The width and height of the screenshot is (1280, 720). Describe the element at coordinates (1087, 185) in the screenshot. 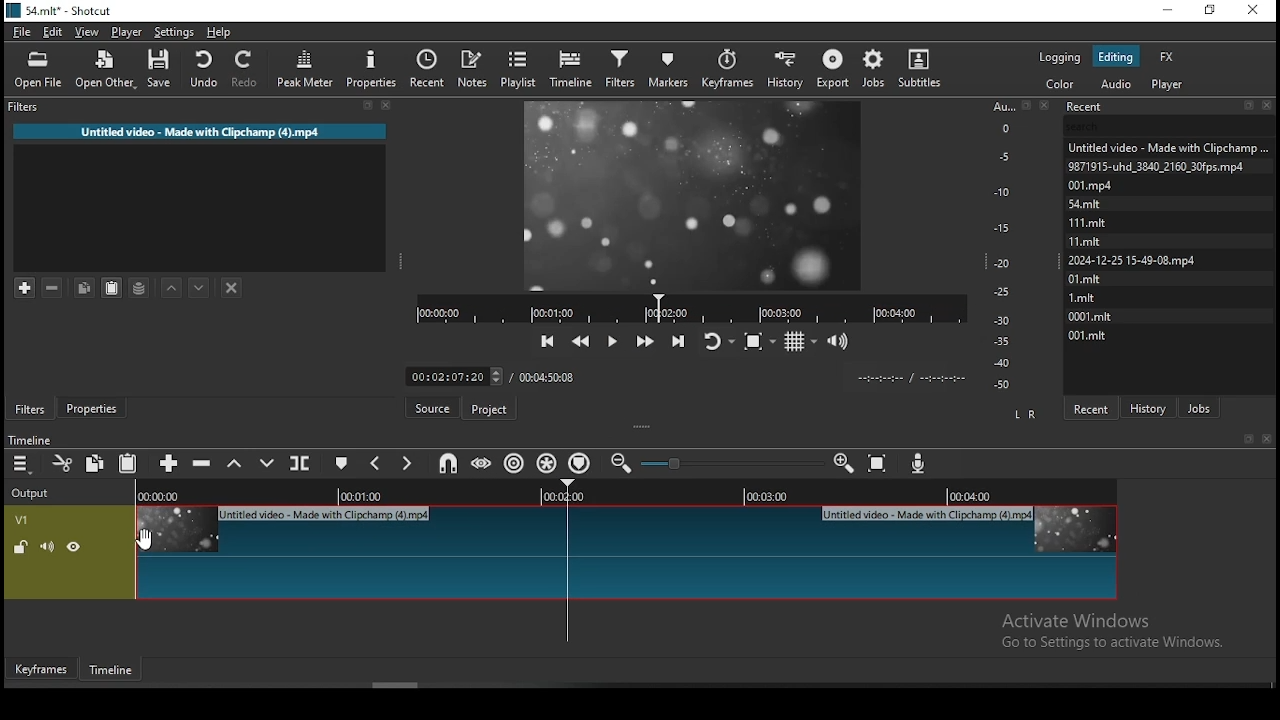

I see `files` at that location.